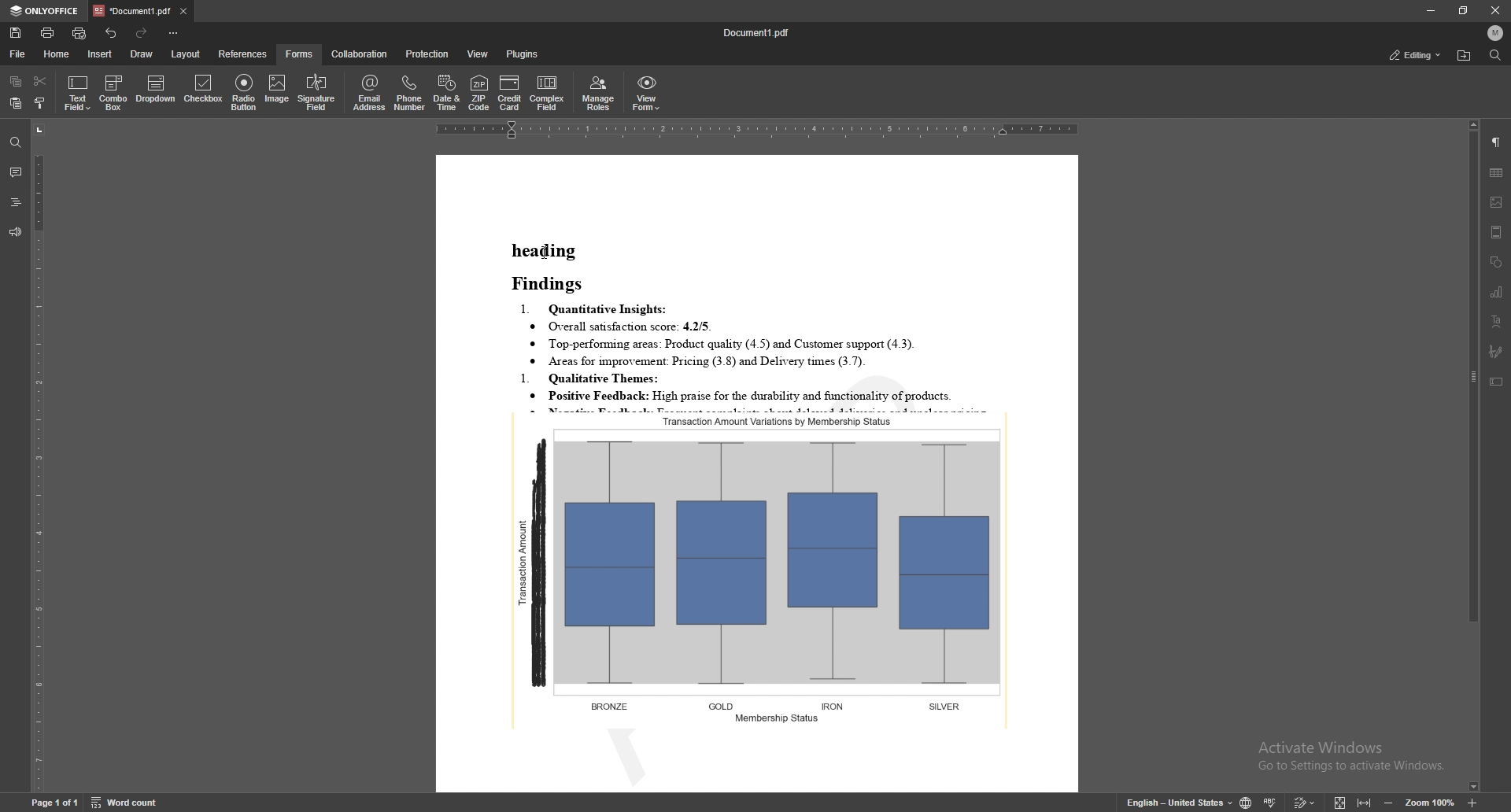 The height and width of the screenshot is (812, 1511). I want to click on find, so click(1496, 56).